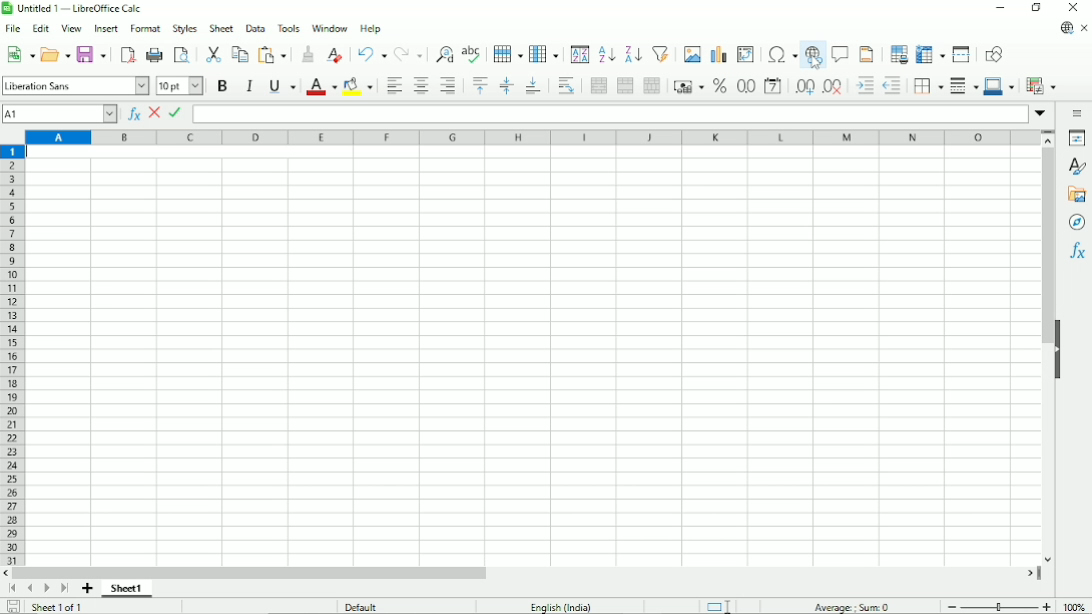 This screenshot has height=614, width=1092. Describe the element at coordinates (997, 605) in the screenshot. I see `Zoom out/in` at that location.